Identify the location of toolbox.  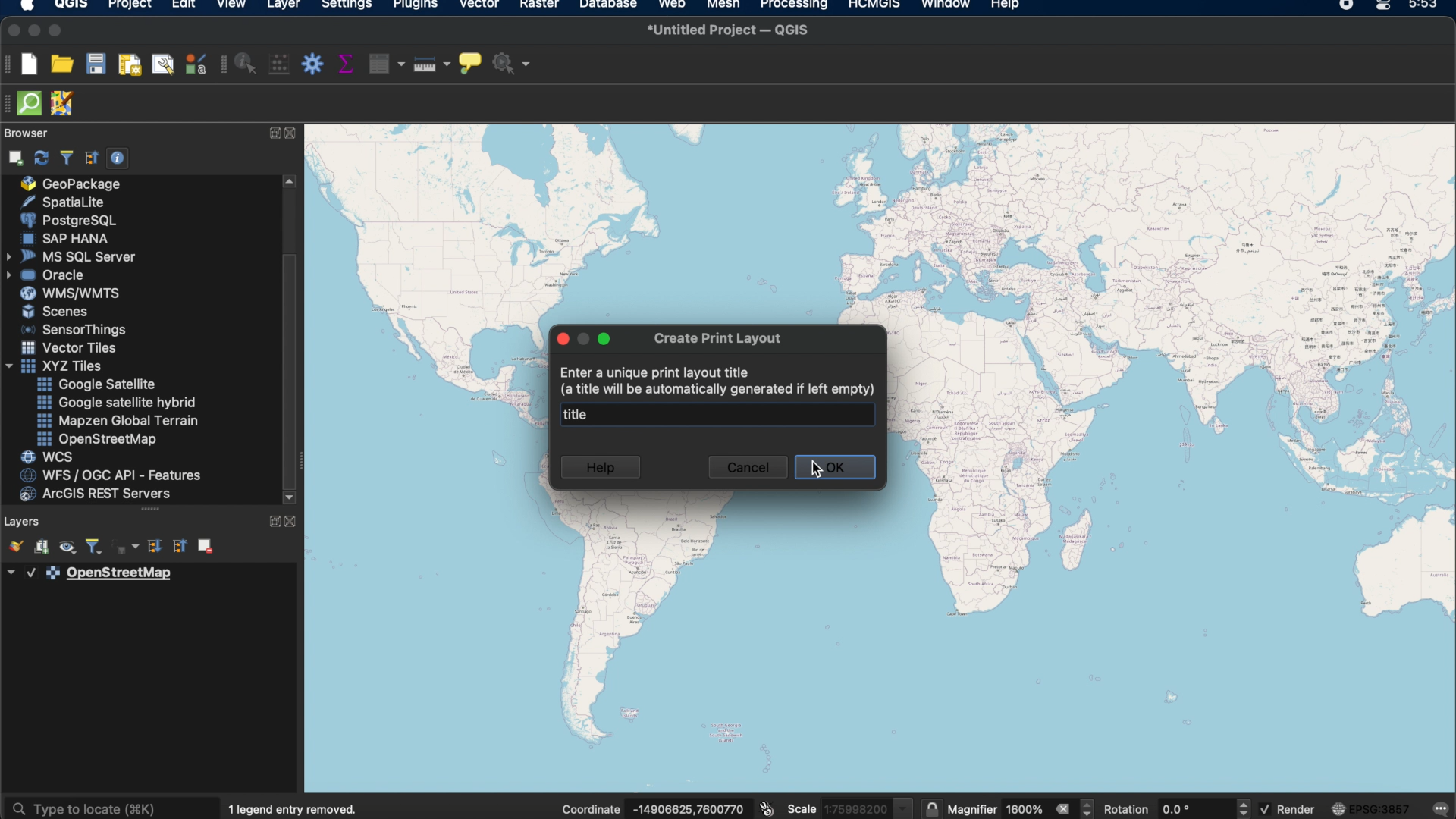
(311, 64).